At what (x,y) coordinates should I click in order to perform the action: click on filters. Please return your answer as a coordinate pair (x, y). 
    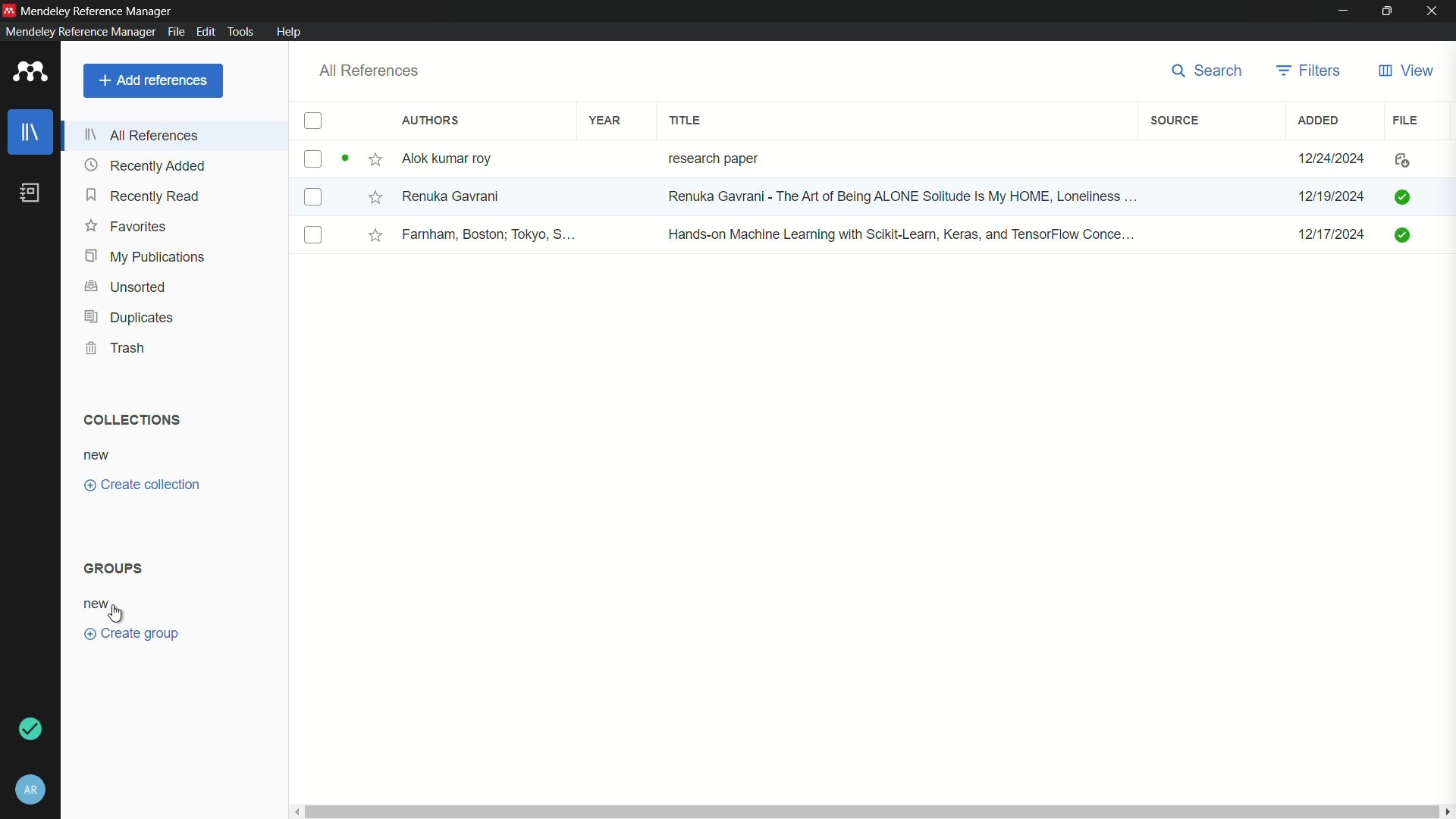
    Looking at the image, I should click on (1309, 70).